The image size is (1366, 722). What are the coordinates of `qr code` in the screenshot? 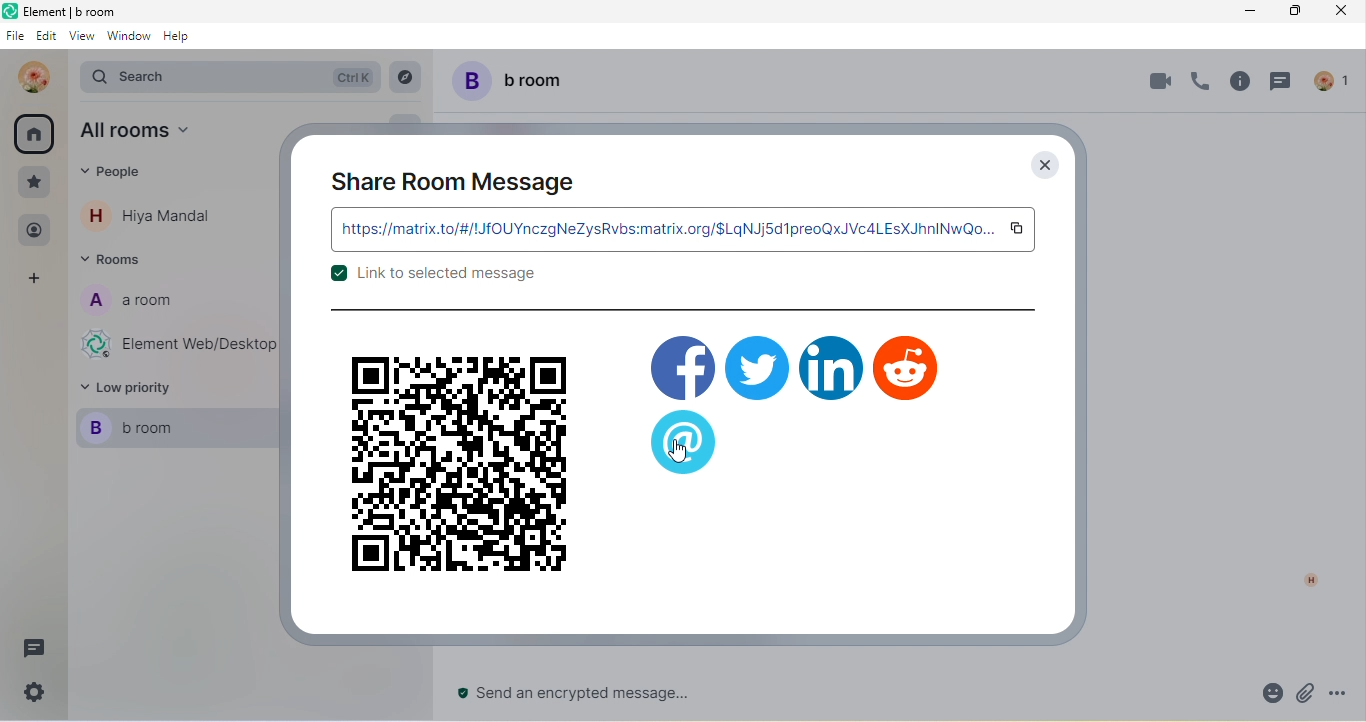 It's located at (458, 464).